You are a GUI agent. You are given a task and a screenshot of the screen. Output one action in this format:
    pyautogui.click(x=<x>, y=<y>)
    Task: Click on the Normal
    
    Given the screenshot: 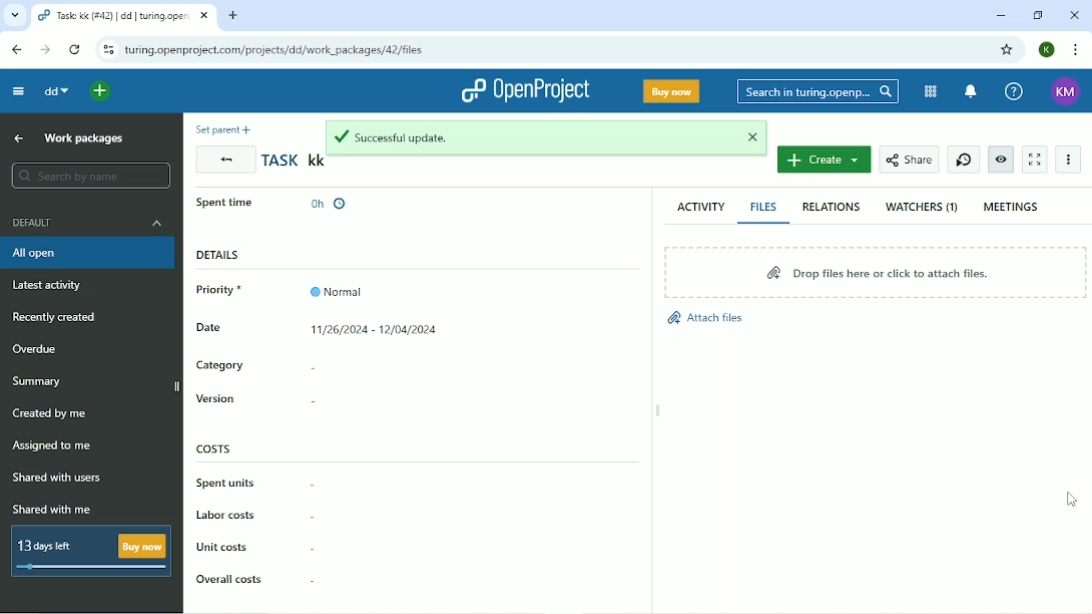 What is the action you would take?
    pyautogui.click(x=339, y=286)
    